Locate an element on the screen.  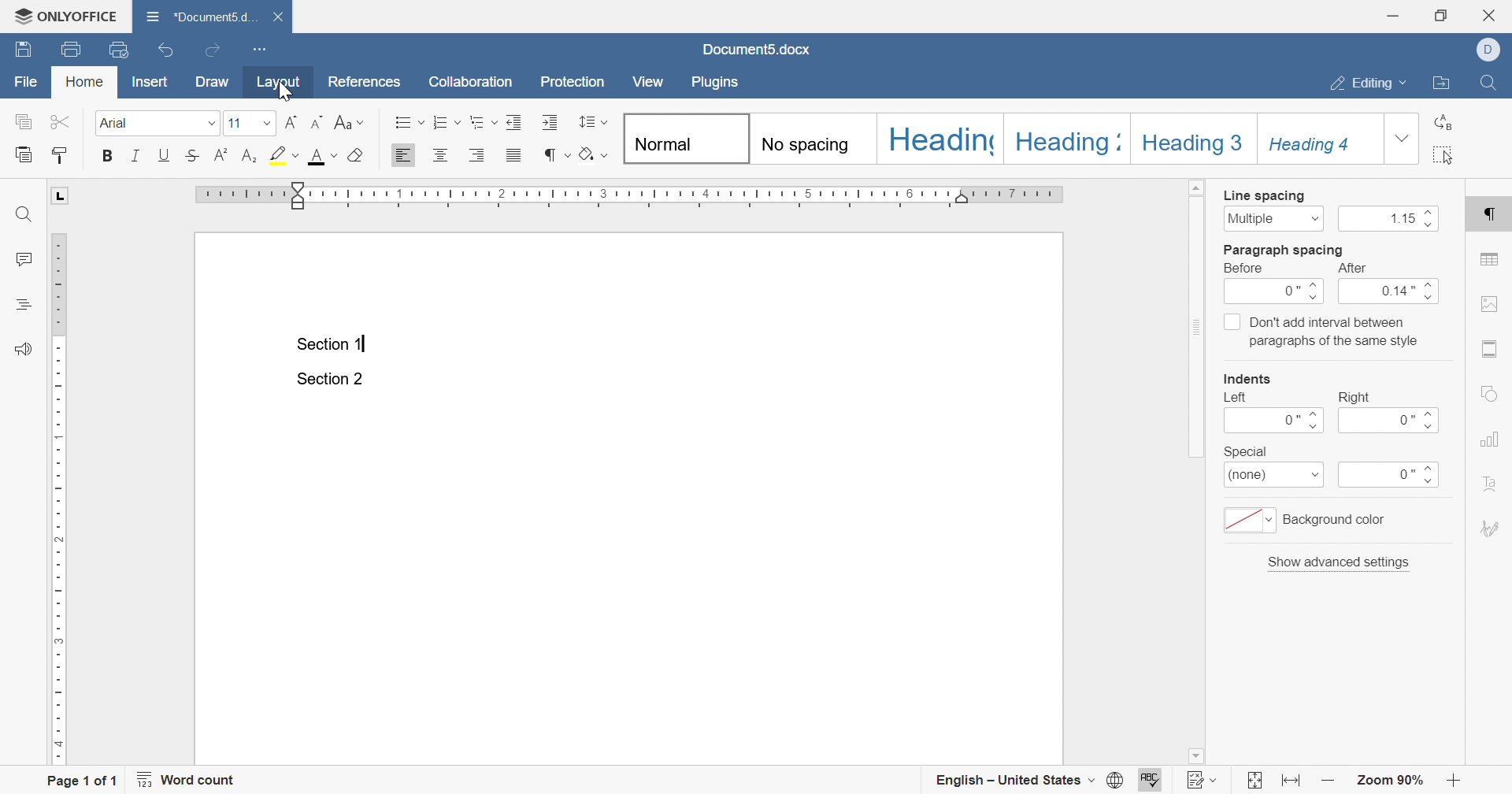
justified is located at coordinates (513, 155).